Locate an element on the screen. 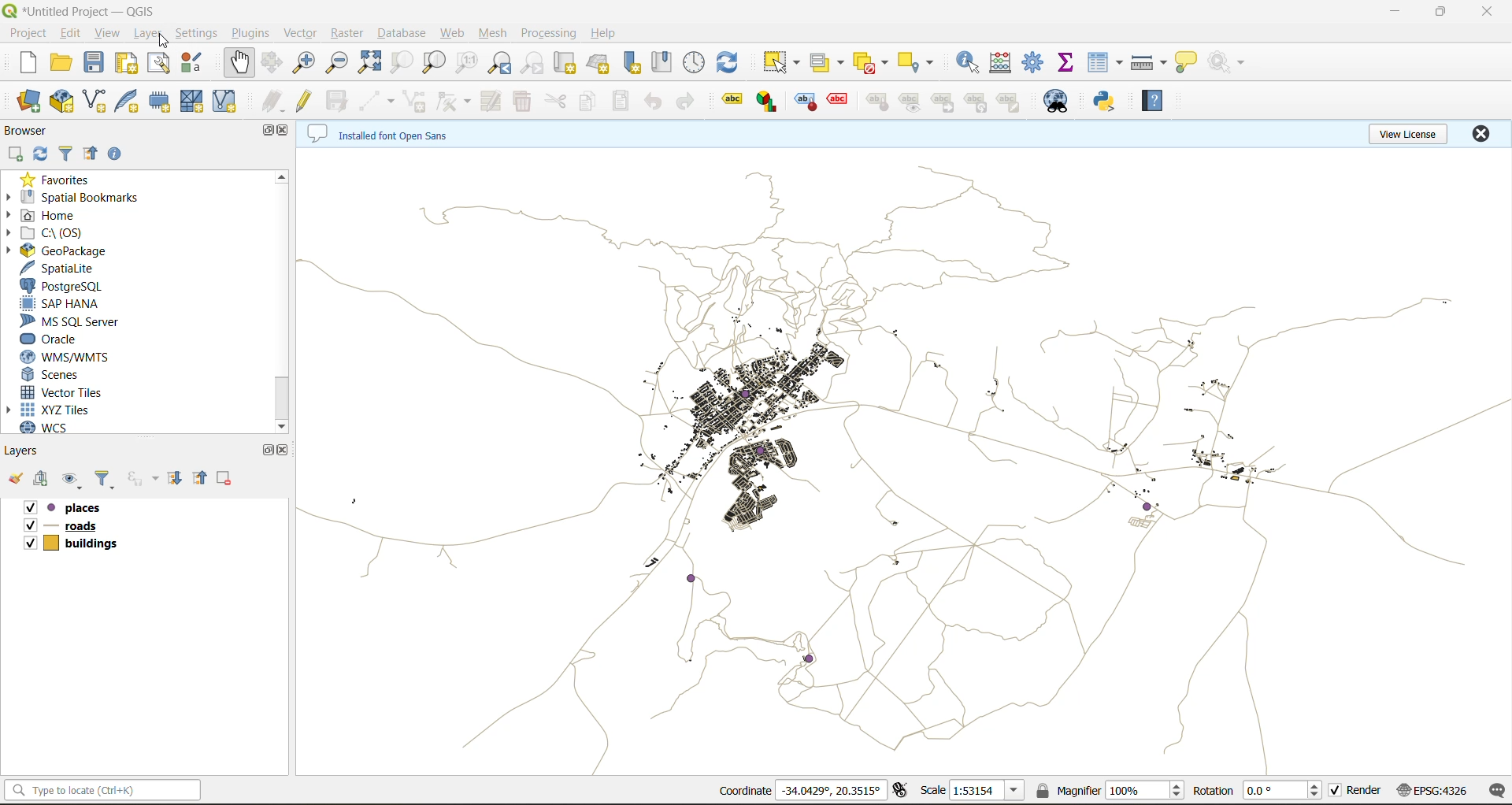 Image resolution: width=1512 pixels, height=805 pixels. toggle edits is located at coordinates (305, 99).